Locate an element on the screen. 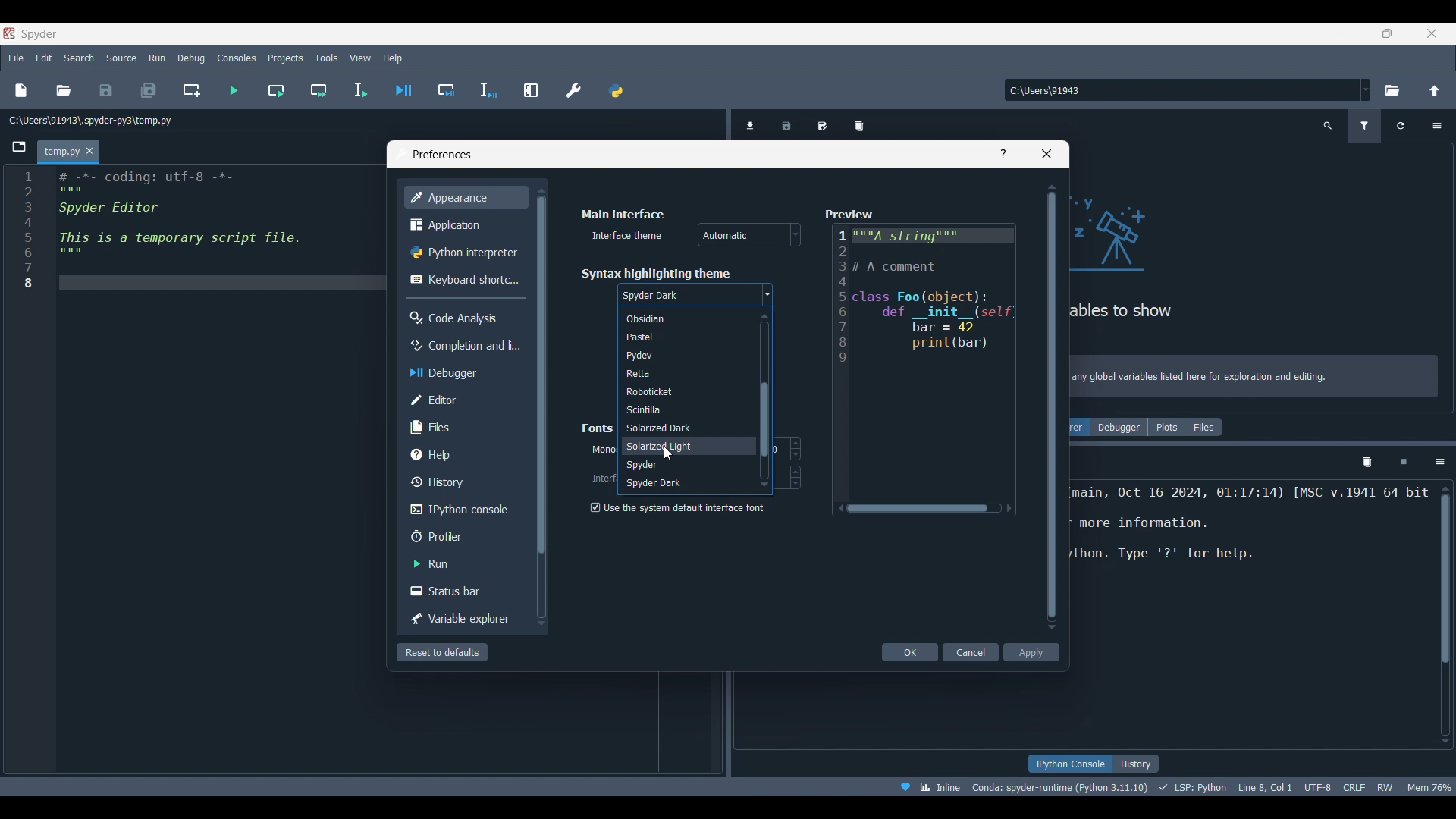  File path is located at coordinates (91, 120).